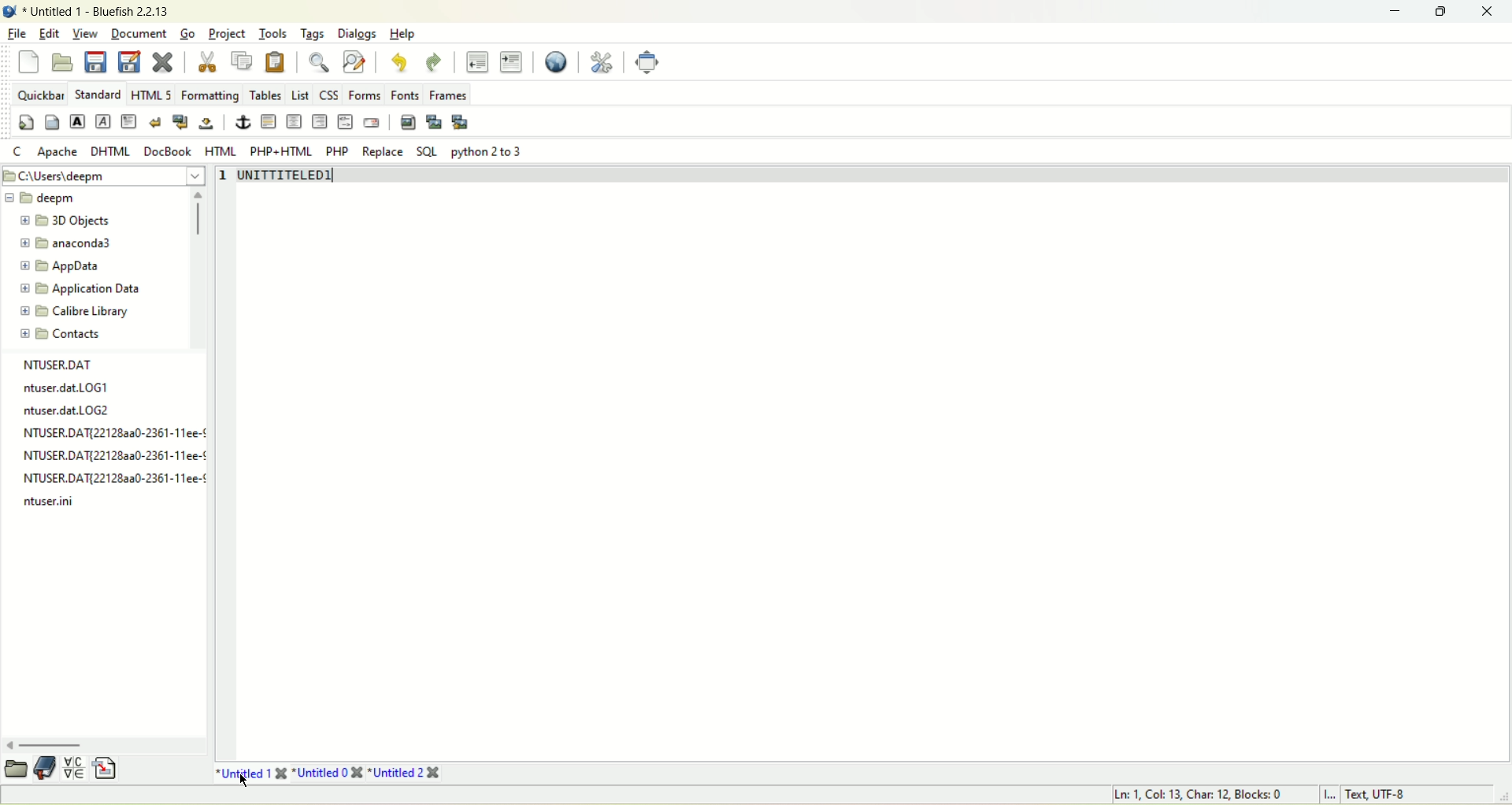  Describe the element at coordinates (86, 32) in the screenshot. I see `View` at that location.